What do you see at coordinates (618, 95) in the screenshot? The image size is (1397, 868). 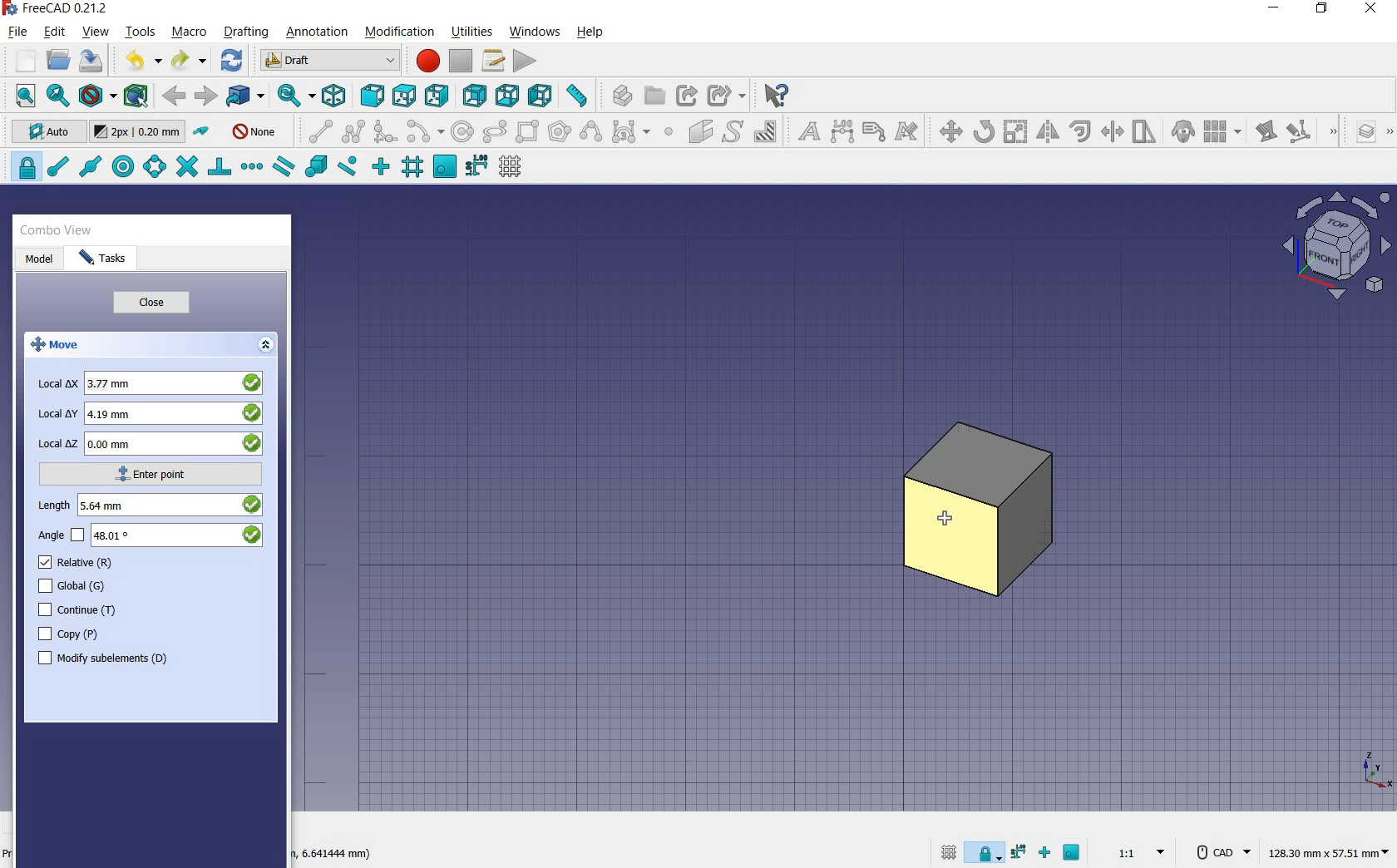 I see `create part` at bounding box center [618, 95].